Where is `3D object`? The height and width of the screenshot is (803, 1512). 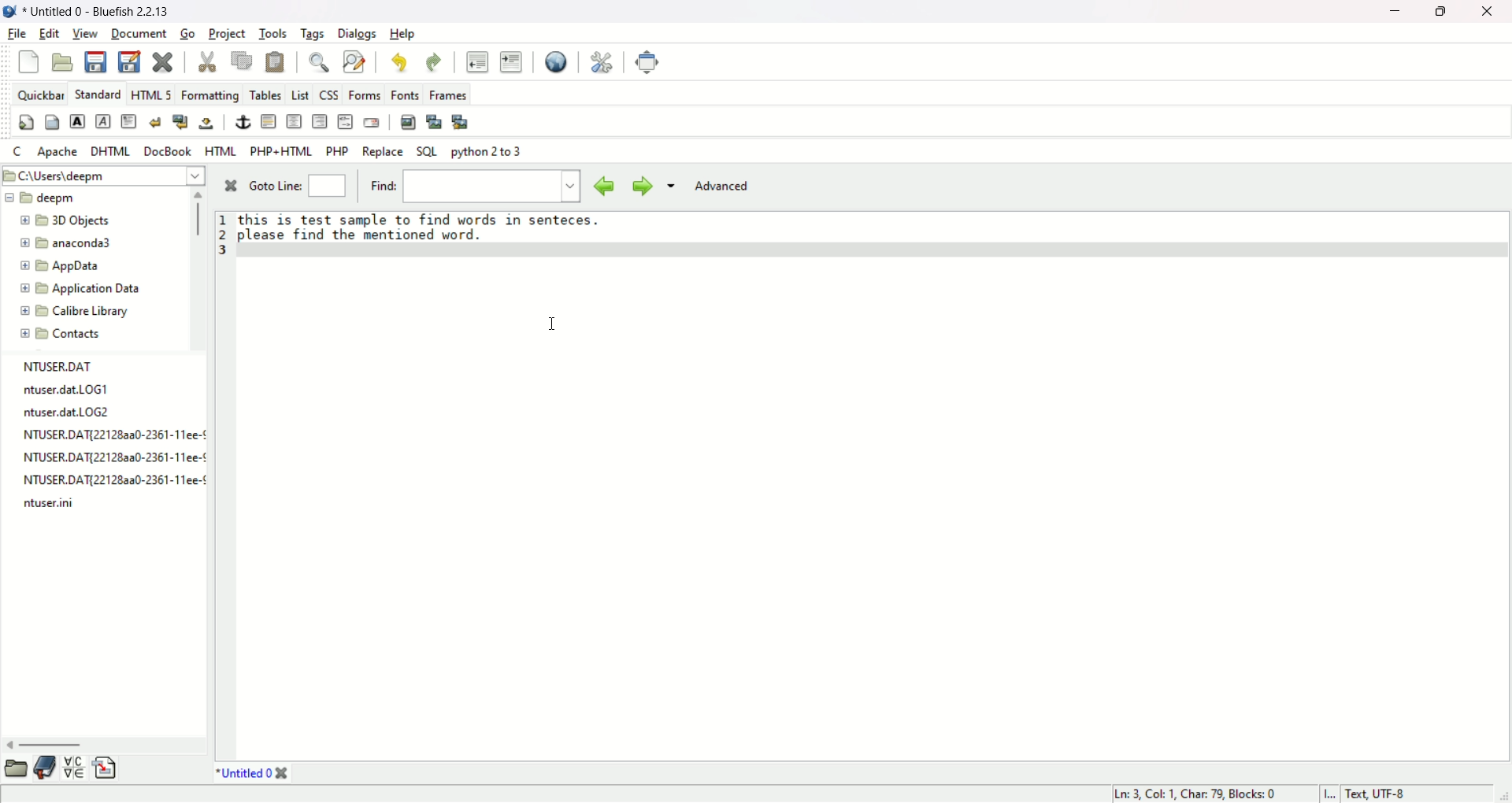 3D object is located at coordinates (63, 220).